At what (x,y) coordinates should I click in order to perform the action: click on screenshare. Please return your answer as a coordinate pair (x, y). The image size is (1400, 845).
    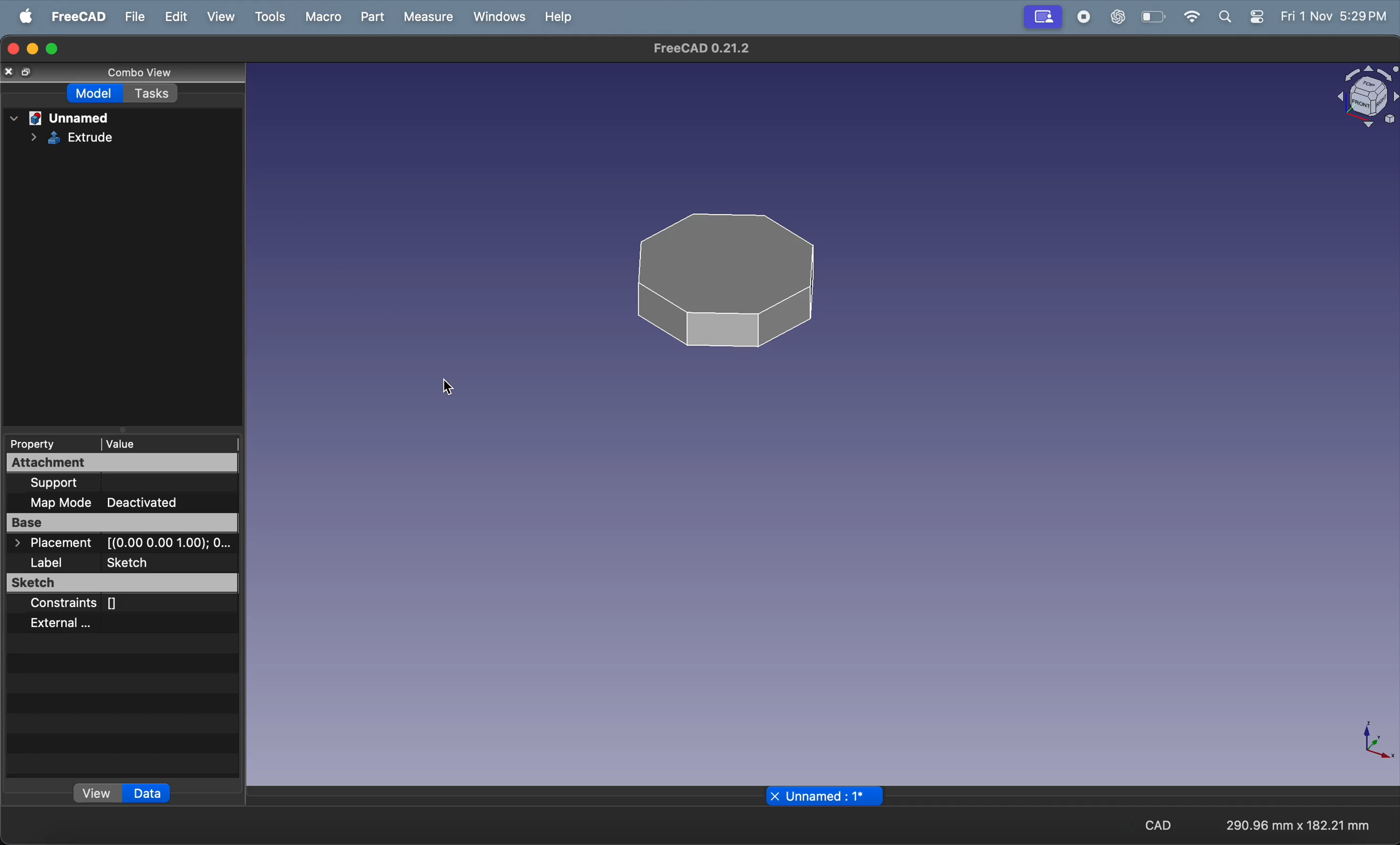
    Looking at the image, I should click on (1045, 17).